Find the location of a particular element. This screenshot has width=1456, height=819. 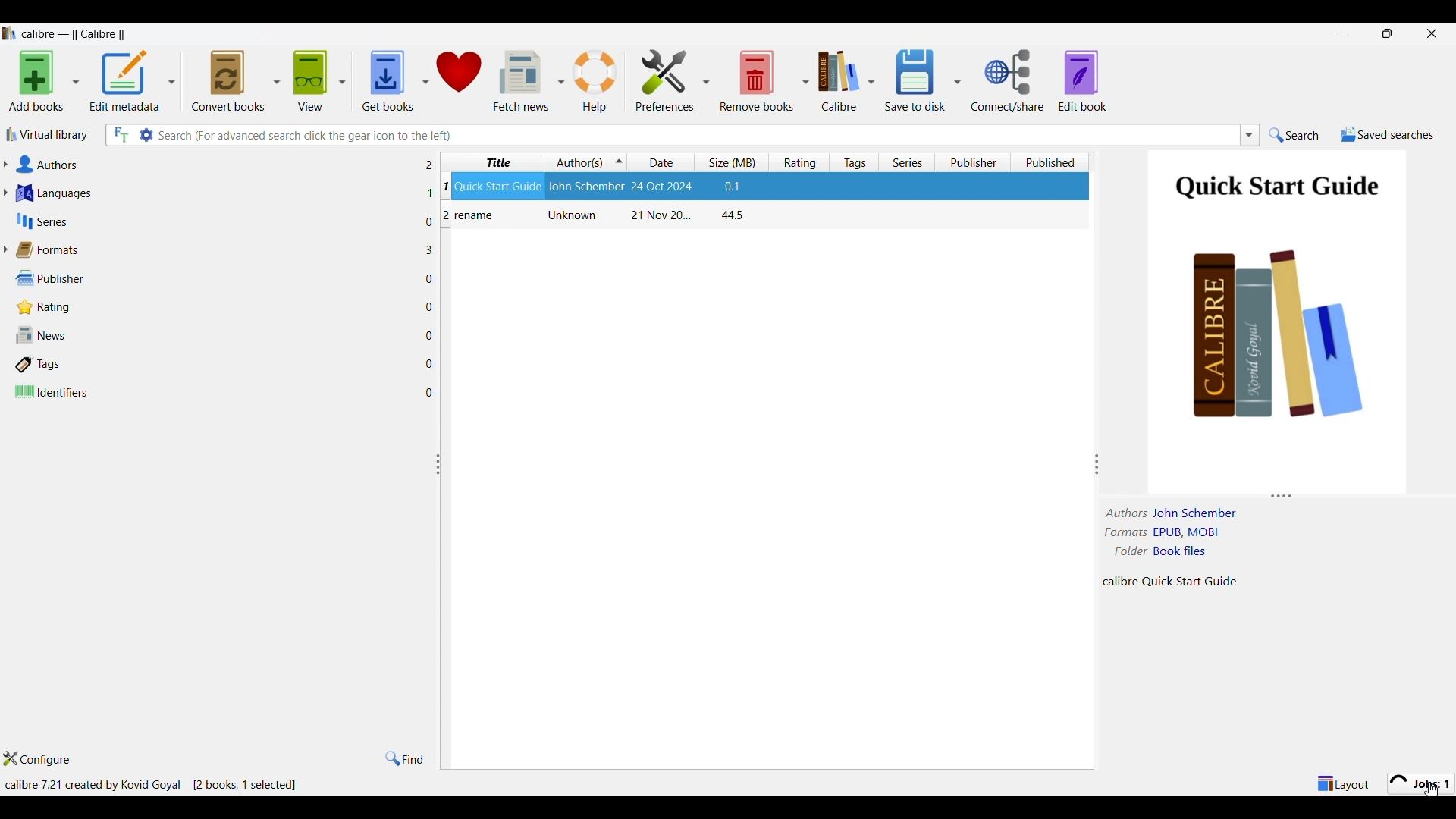

Tag column is located at coordinates (852, 162).